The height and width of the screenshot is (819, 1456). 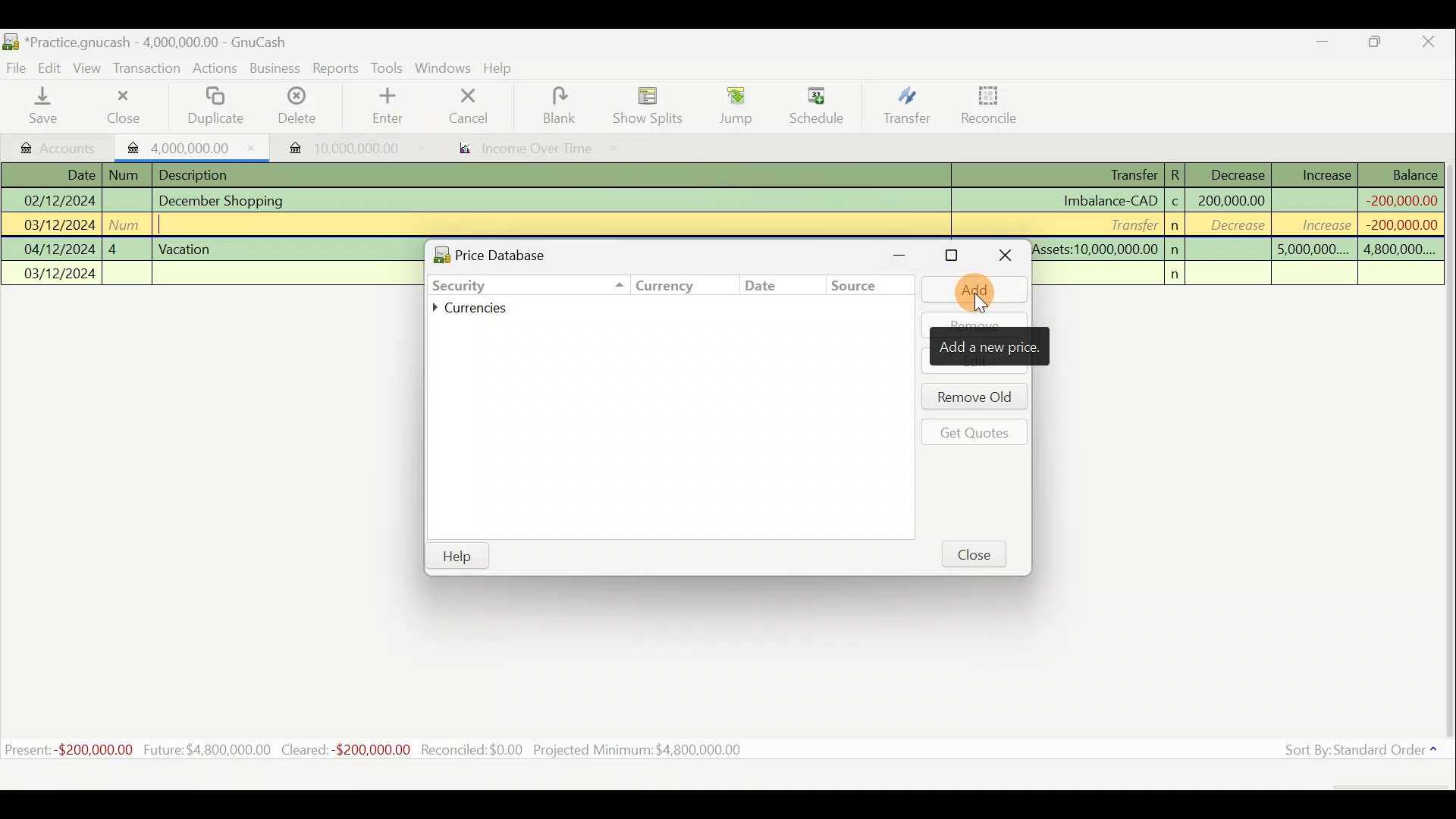 I want to click on -200,000,000, so click(x=1396, y=224).